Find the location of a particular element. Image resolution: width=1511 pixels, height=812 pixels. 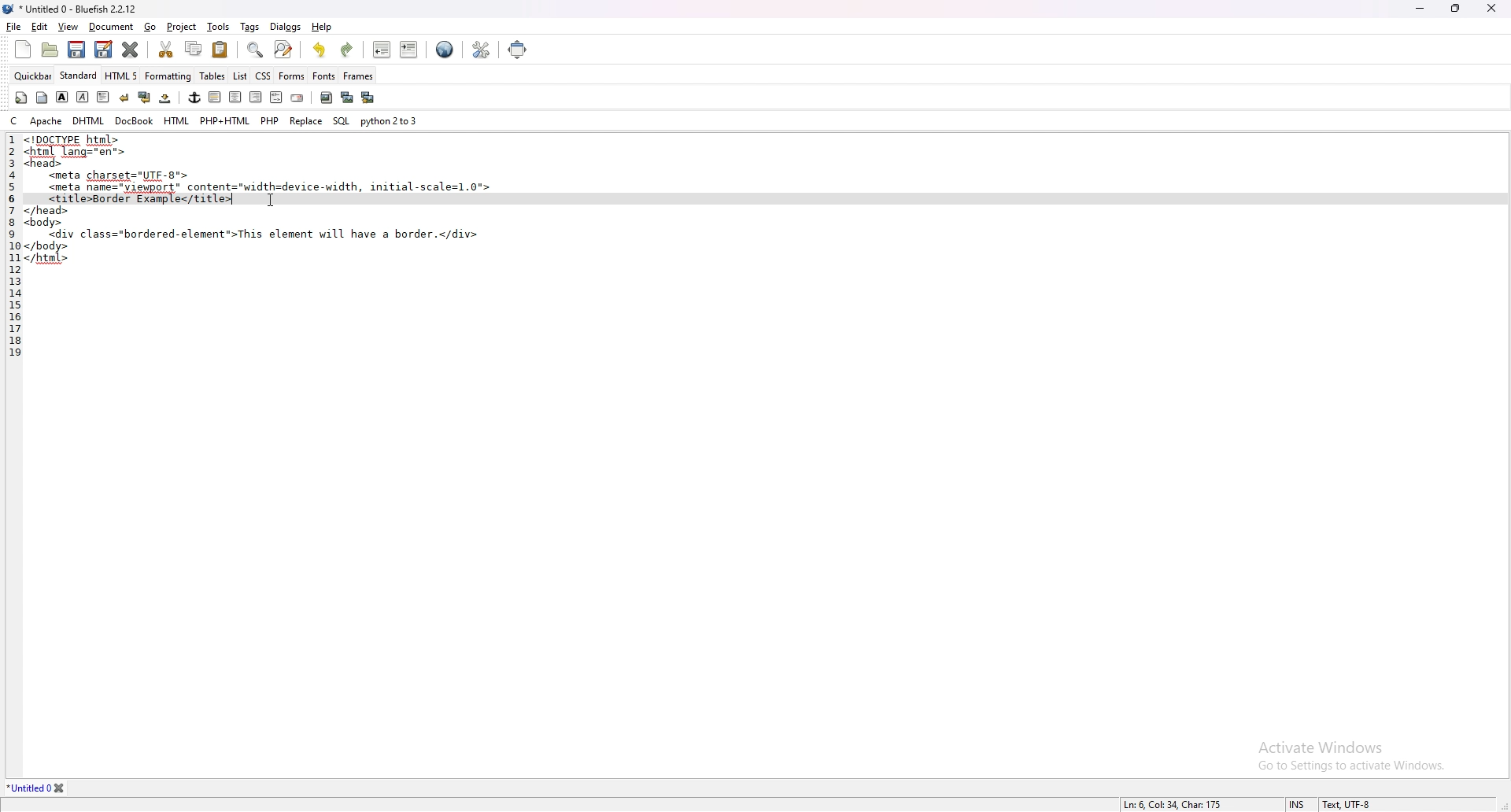

INS is located at coordinates (1299, 804).